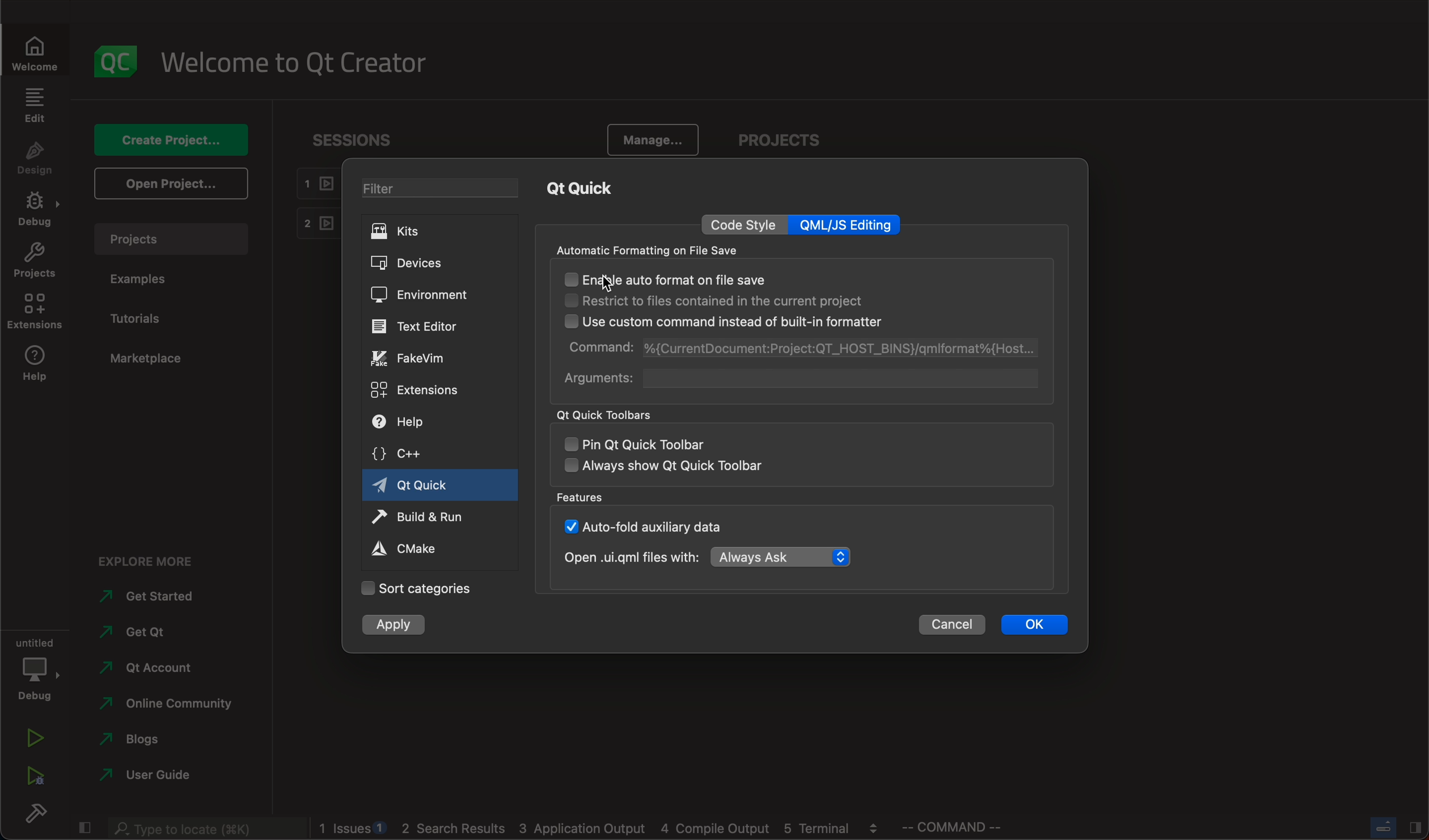 The image size is (1429, 840). What do you see at coordinates (36, 810) in the screenshot?
I see `build` at bounding box center [36, 810].